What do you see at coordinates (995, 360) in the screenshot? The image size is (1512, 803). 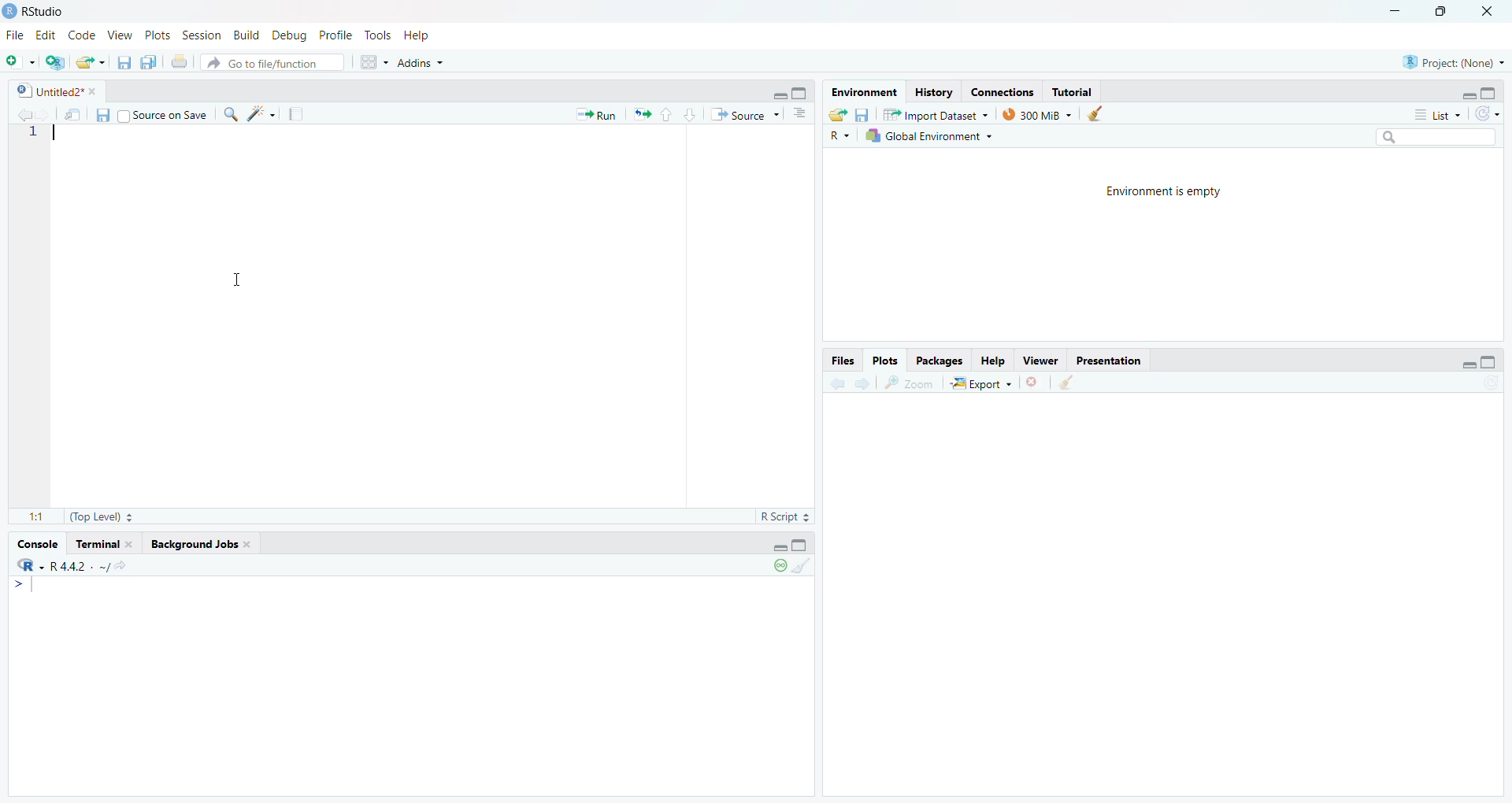 I see `Help.` at bounding box center [995, 360].